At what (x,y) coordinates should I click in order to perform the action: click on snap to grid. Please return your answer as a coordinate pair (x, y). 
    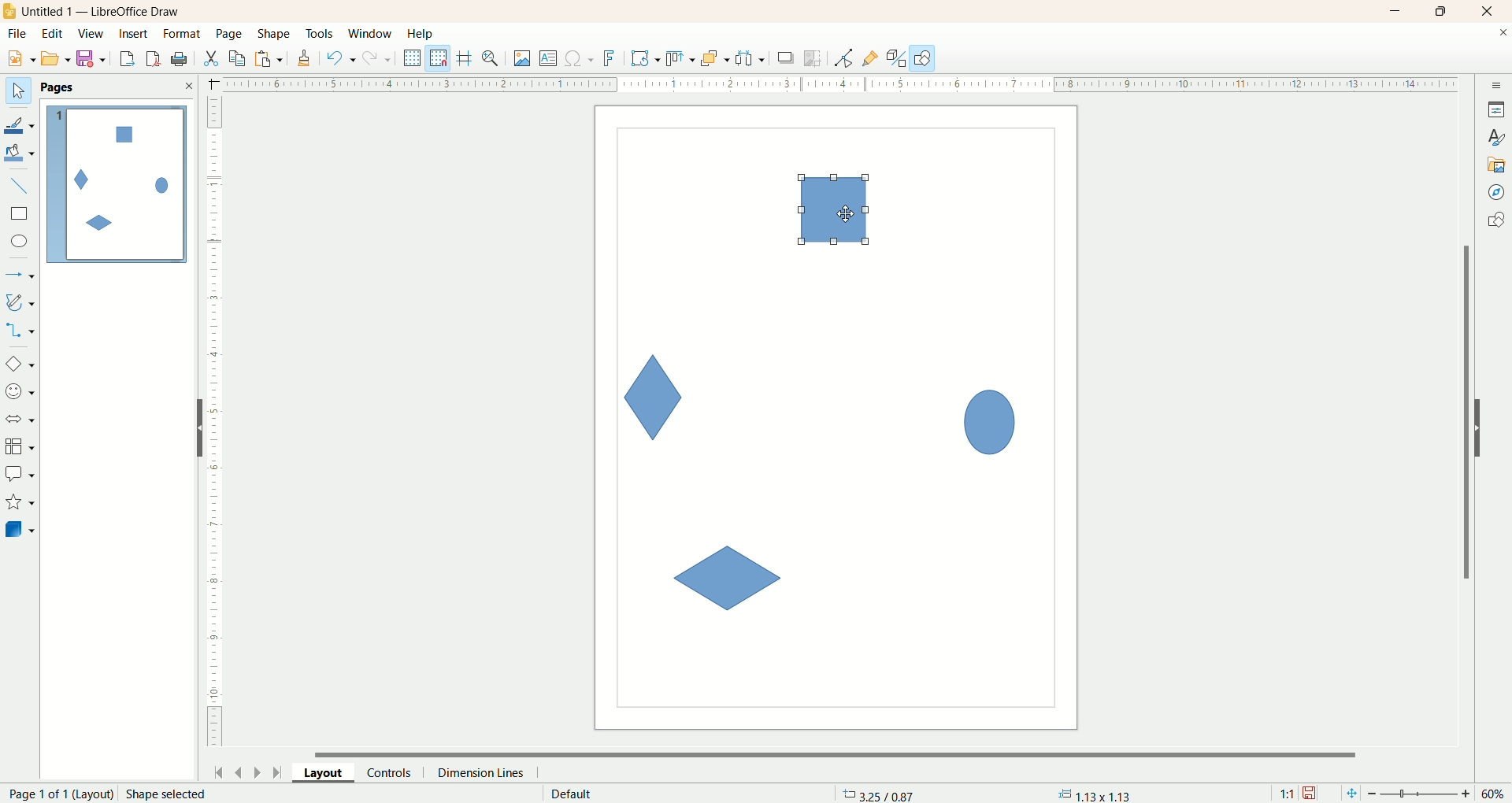
    Looking at the image, I should click on (442, 58).